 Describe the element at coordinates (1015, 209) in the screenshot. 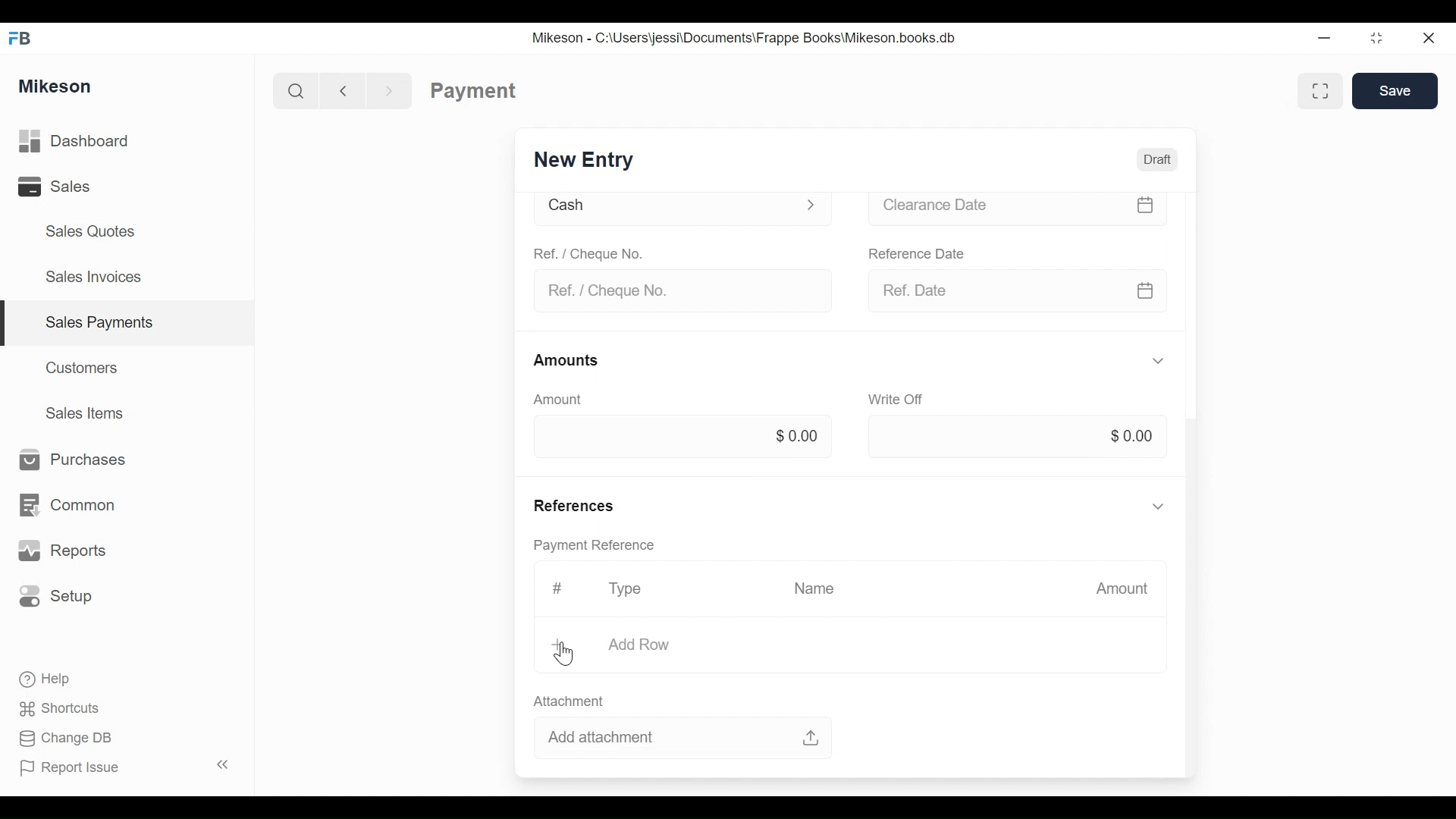

I see `Clearance date` at that location.